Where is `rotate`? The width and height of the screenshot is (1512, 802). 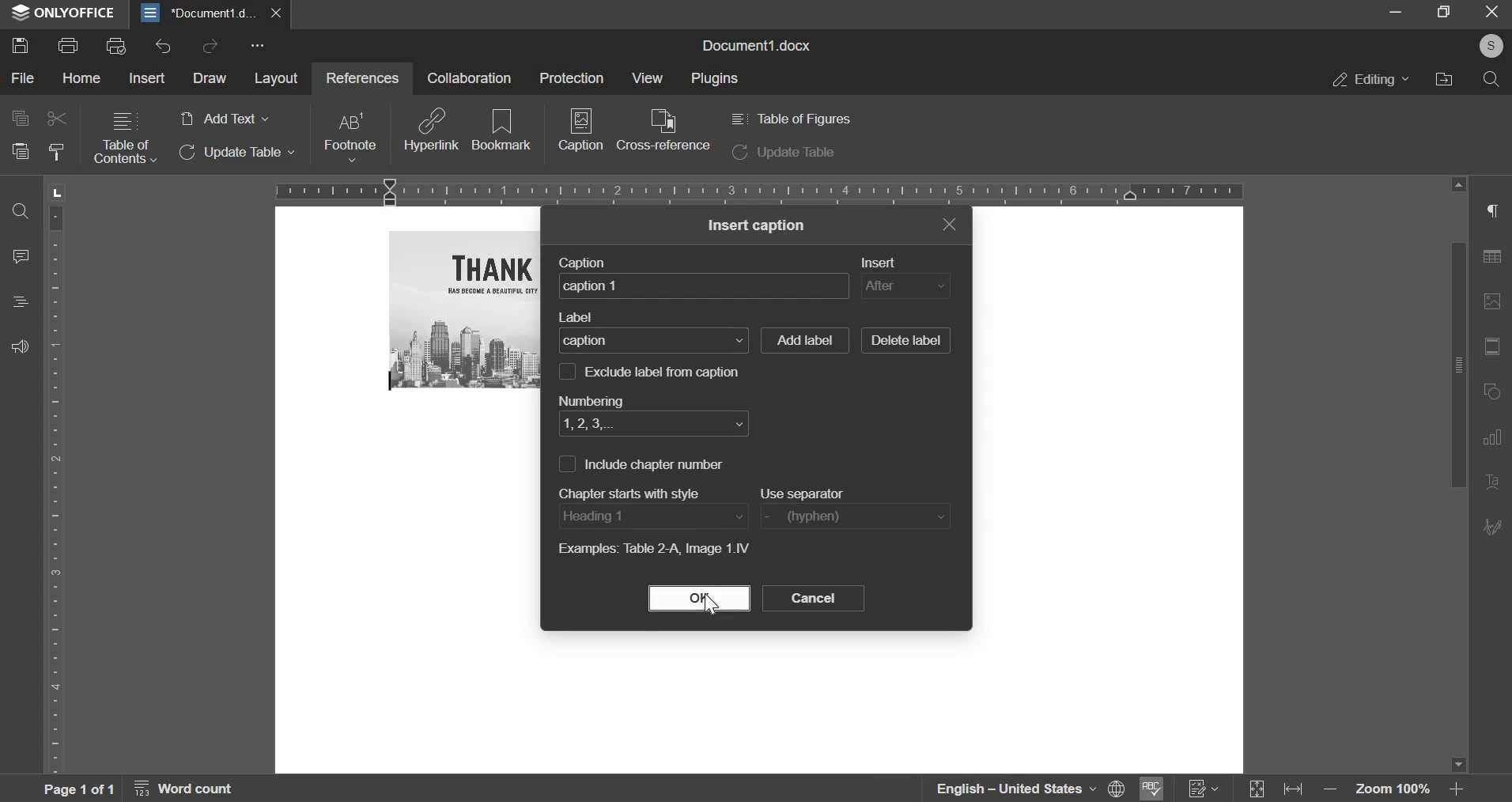
rotate is located at coordinates (1495, 393).